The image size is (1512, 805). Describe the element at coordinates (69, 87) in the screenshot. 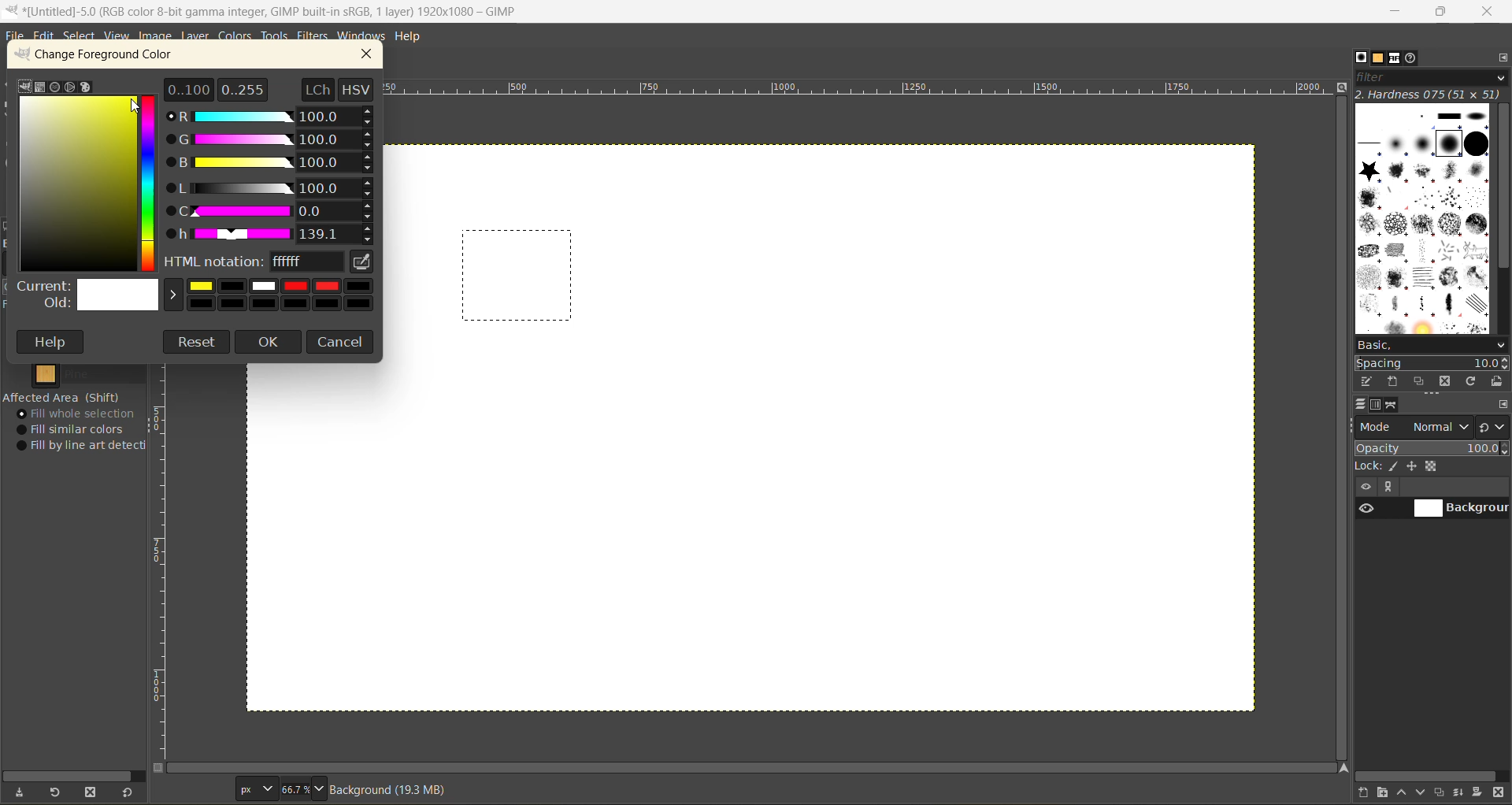

I see `wheel` at that location.